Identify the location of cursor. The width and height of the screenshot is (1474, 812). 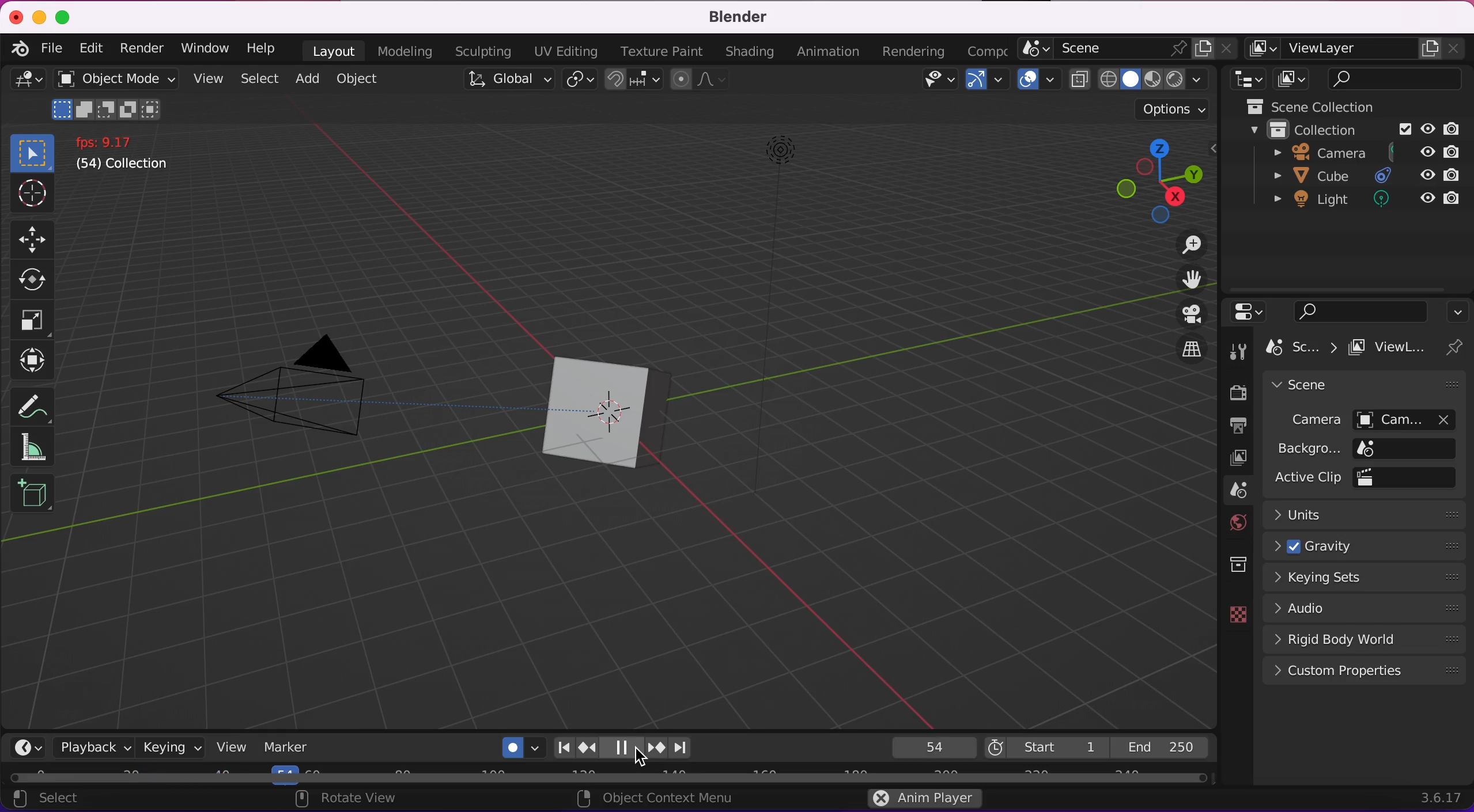
(638, 759).